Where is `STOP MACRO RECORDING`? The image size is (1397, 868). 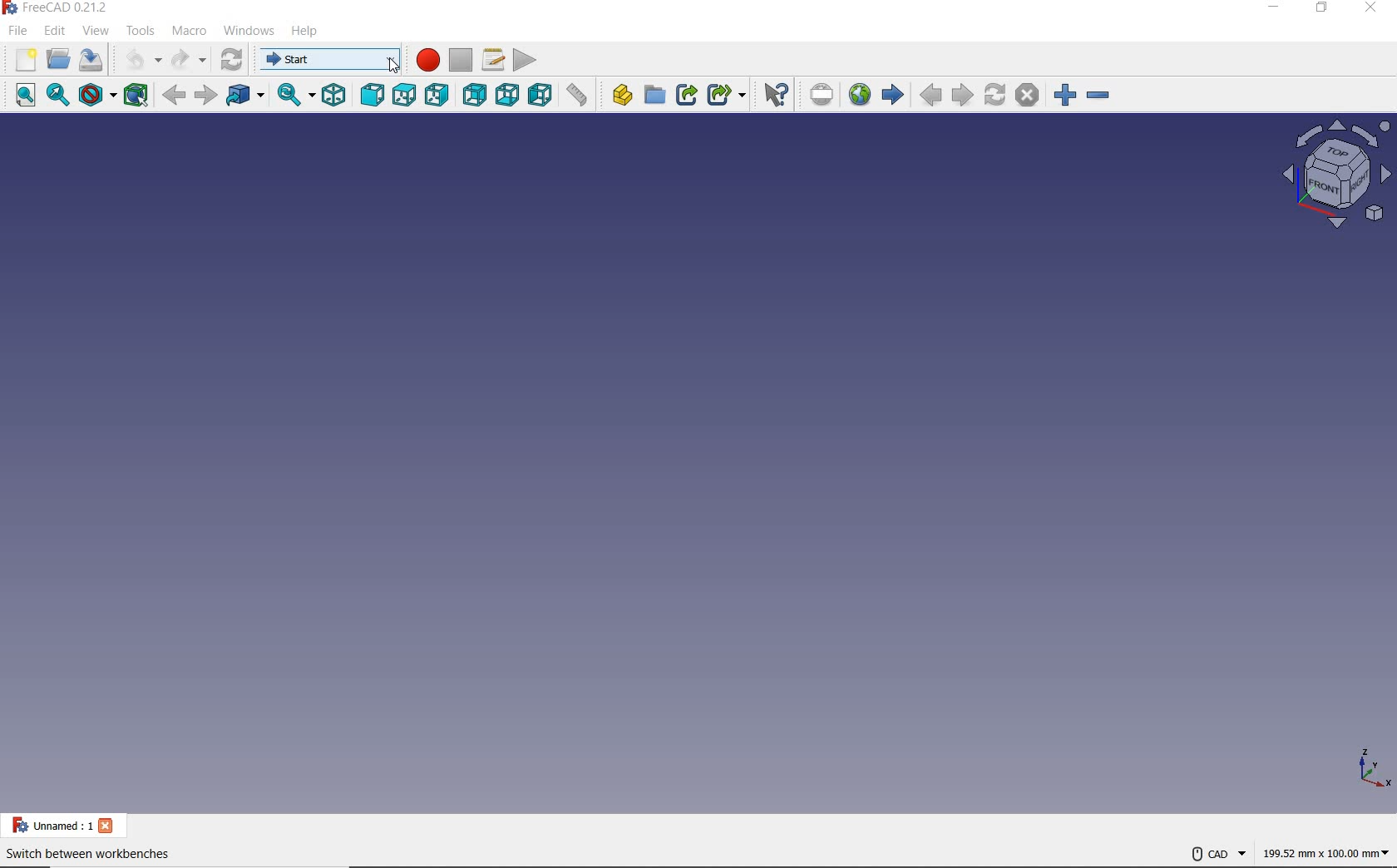 STOP MACRO RECORDING is located at coordinates (462, 59).